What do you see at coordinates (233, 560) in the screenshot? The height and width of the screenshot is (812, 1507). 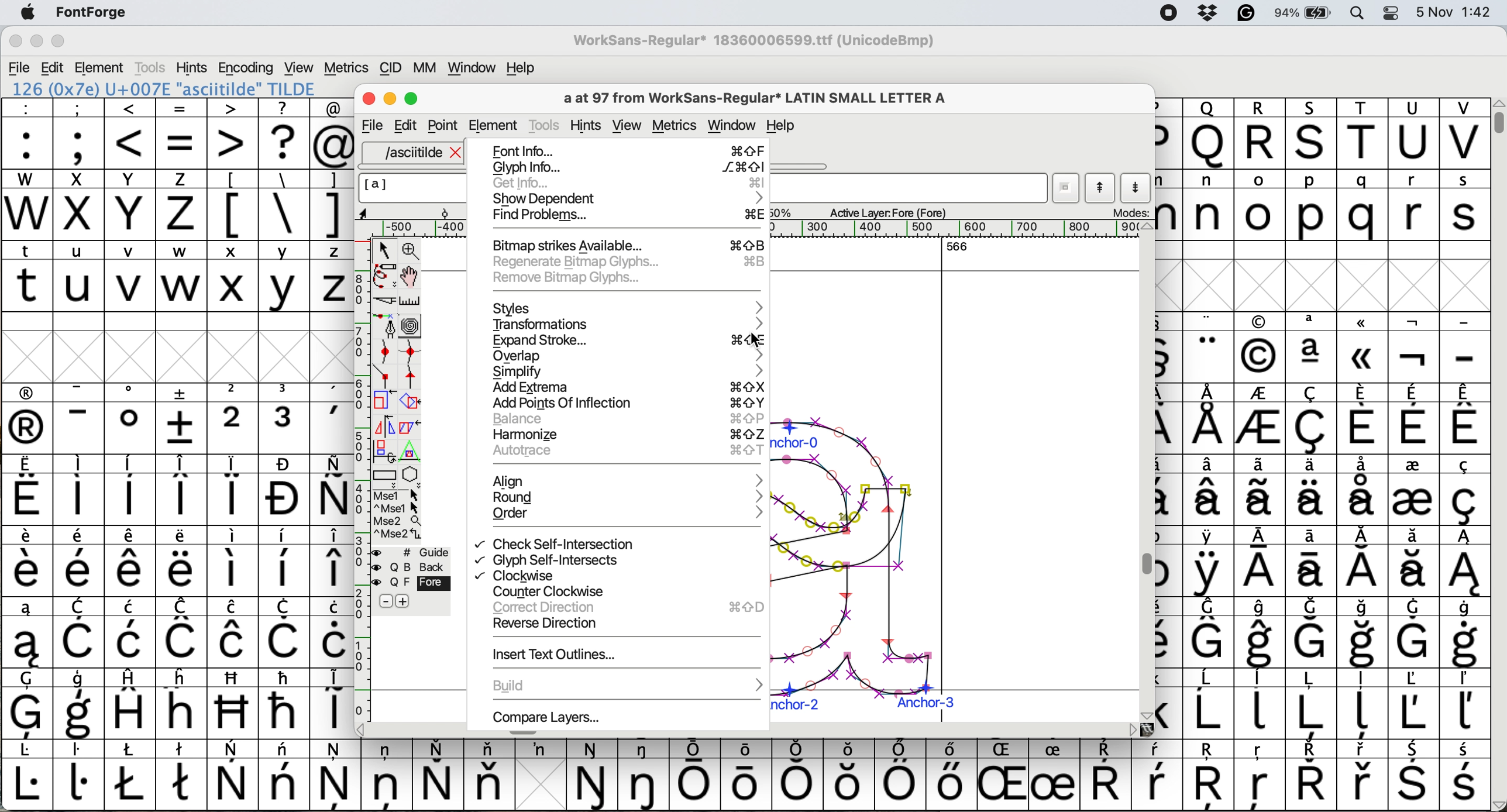 I see `symbol` at bounding box center [233, 560].